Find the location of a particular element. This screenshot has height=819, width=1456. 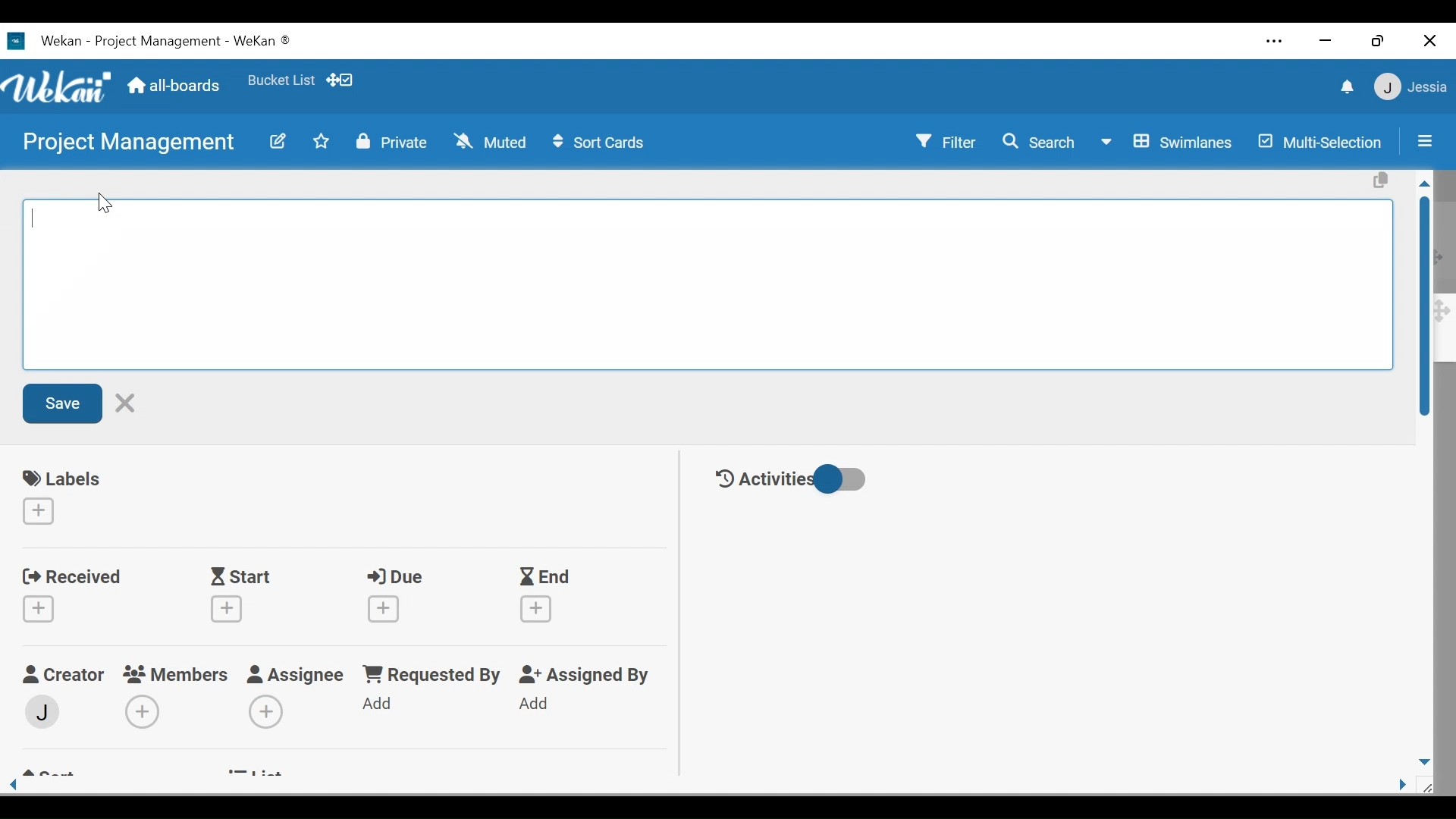

End Date is located at coordinates (547, 576).